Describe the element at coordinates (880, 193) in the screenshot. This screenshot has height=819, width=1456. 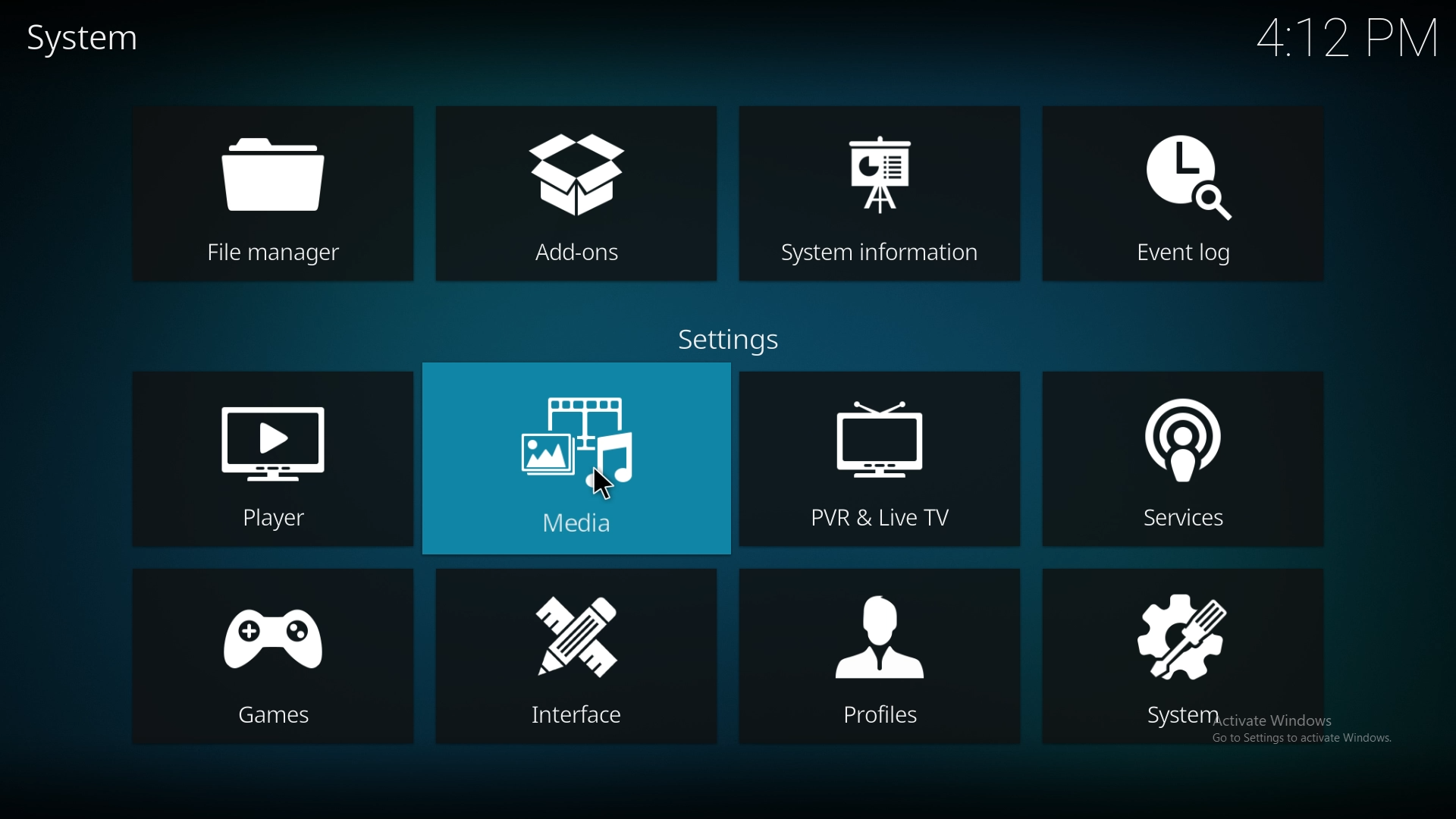
I see `system info` at that location.